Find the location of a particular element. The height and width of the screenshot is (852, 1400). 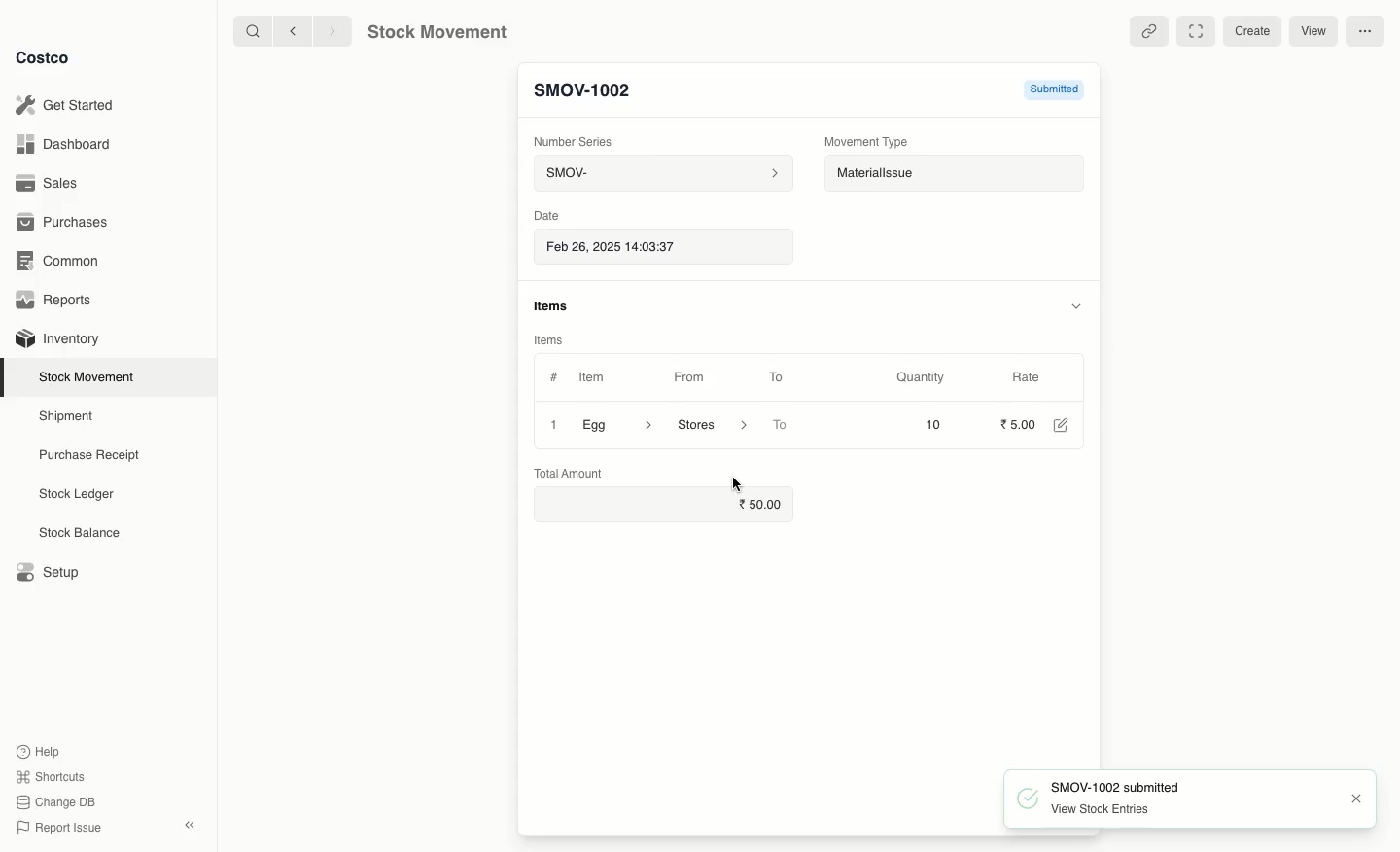

Costco is located at coordinates (44, 58).